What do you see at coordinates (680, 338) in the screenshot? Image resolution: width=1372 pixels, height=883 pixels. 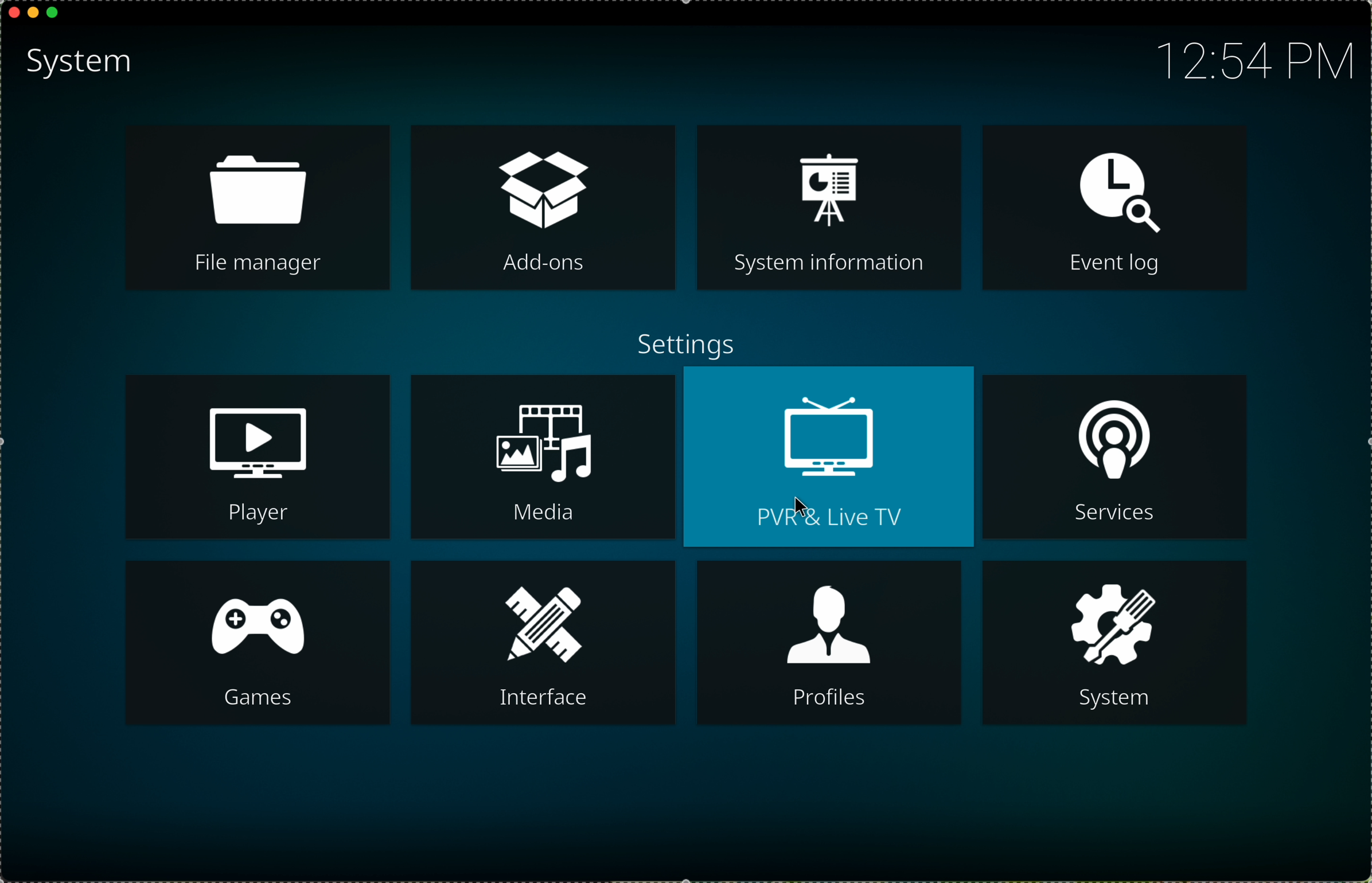 I see `Setting` at bounding box center [680, 338].